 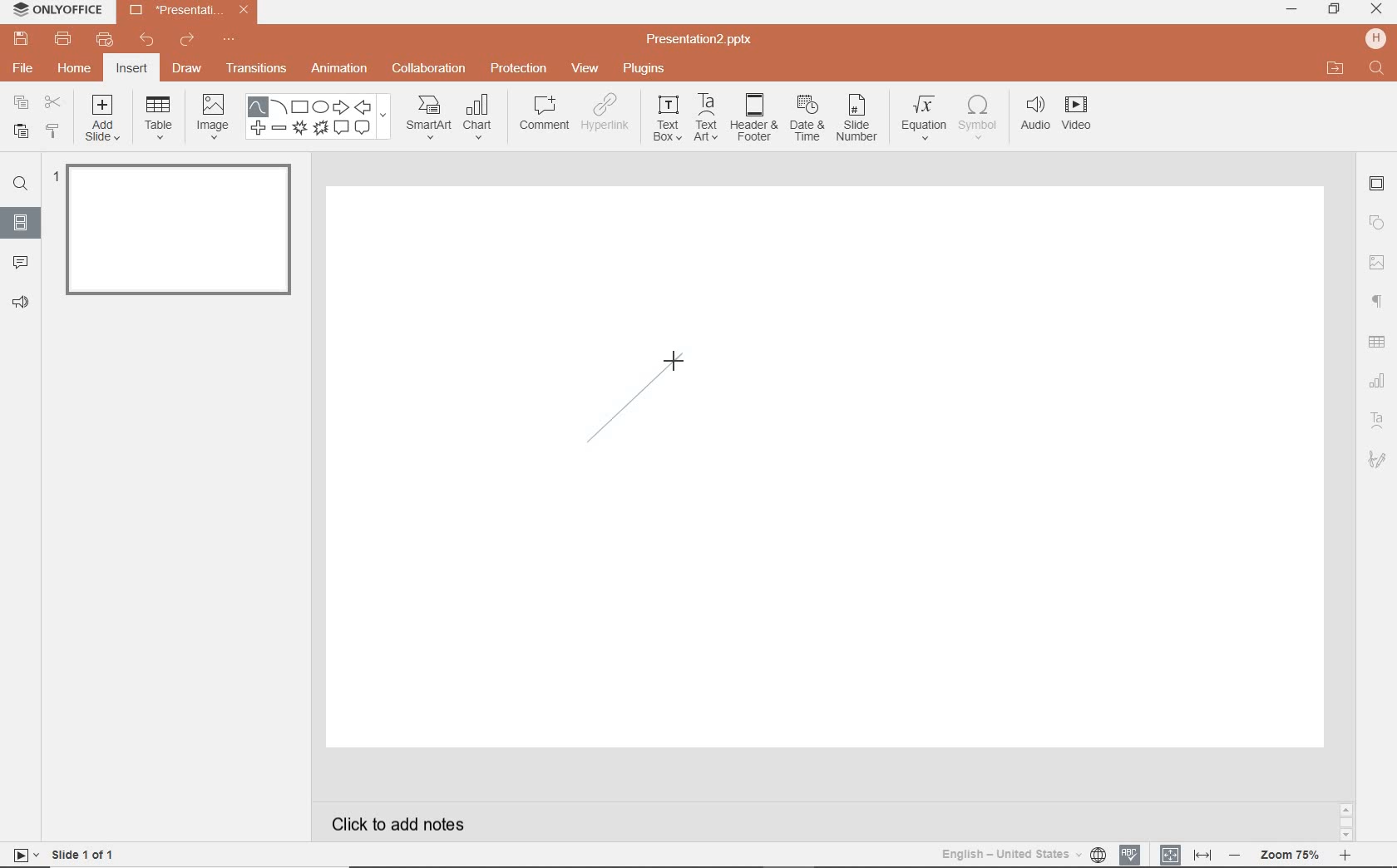 I want to click on CUSTOMIZE QUICK ACCESS TOOLBAR, so click(x=229, y=42).